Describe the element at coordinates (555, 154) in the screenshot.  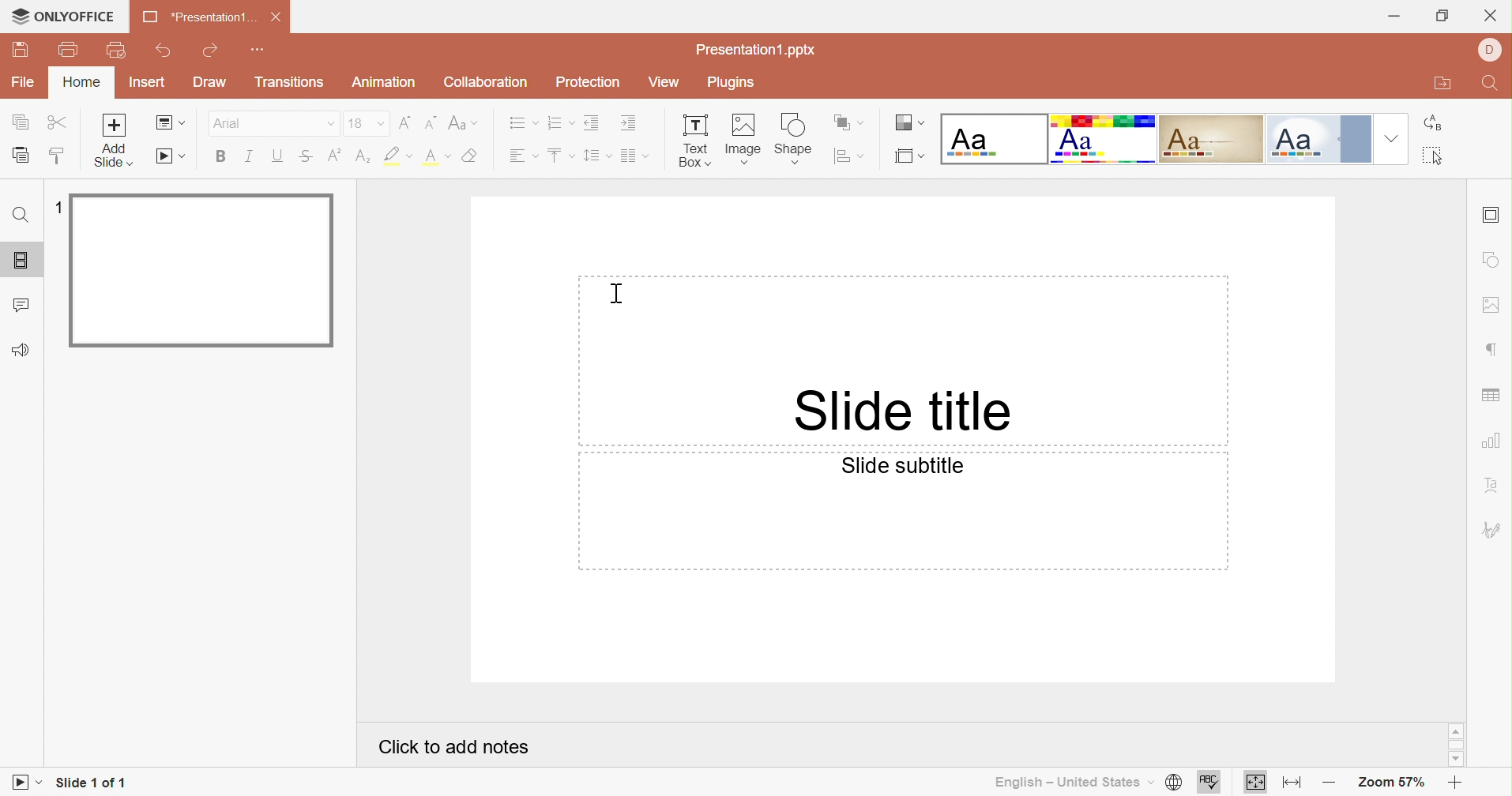
I see `Vertical align` at that location.